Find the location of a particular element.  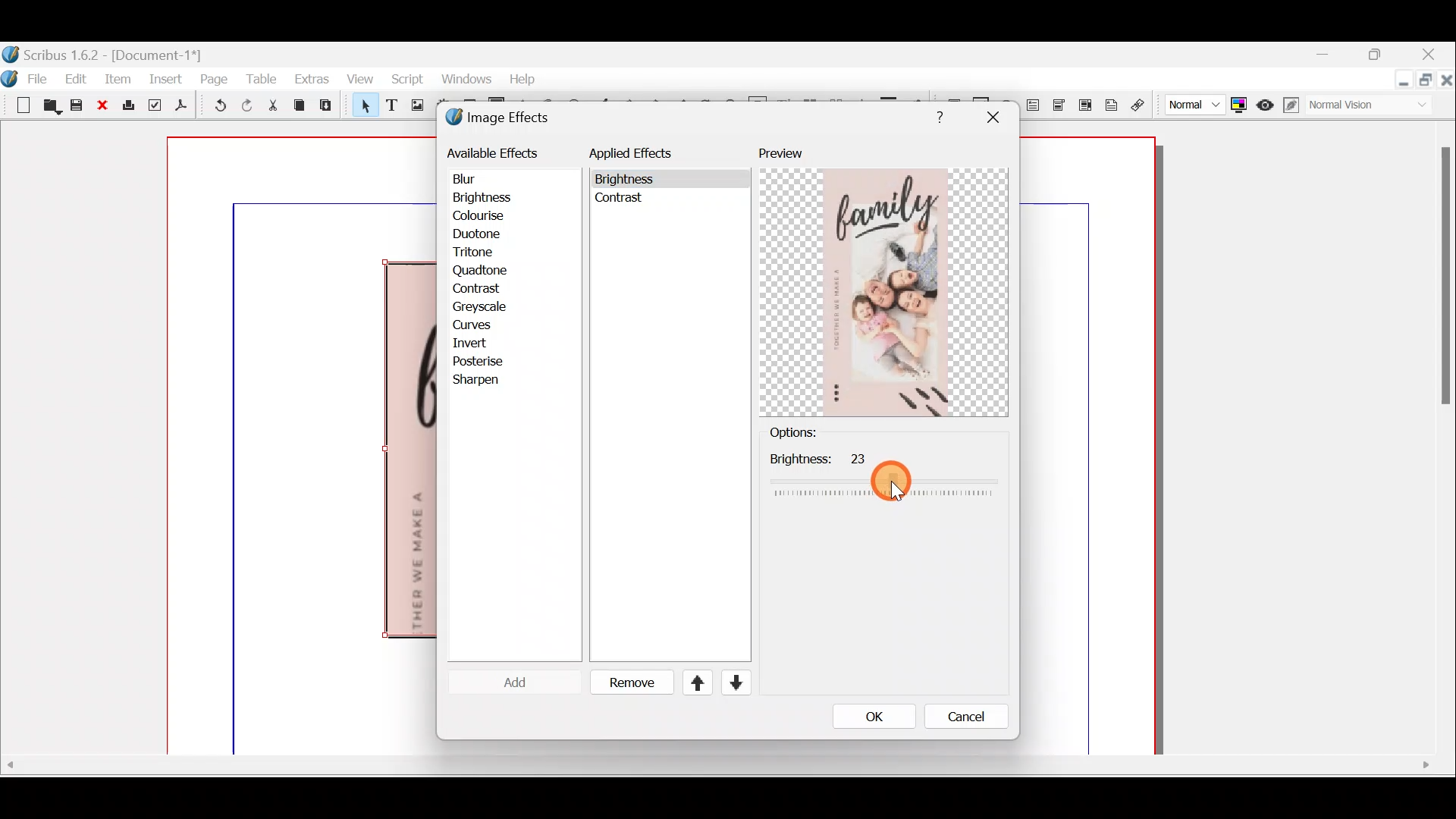

Open is located at coordinates (52, 108).